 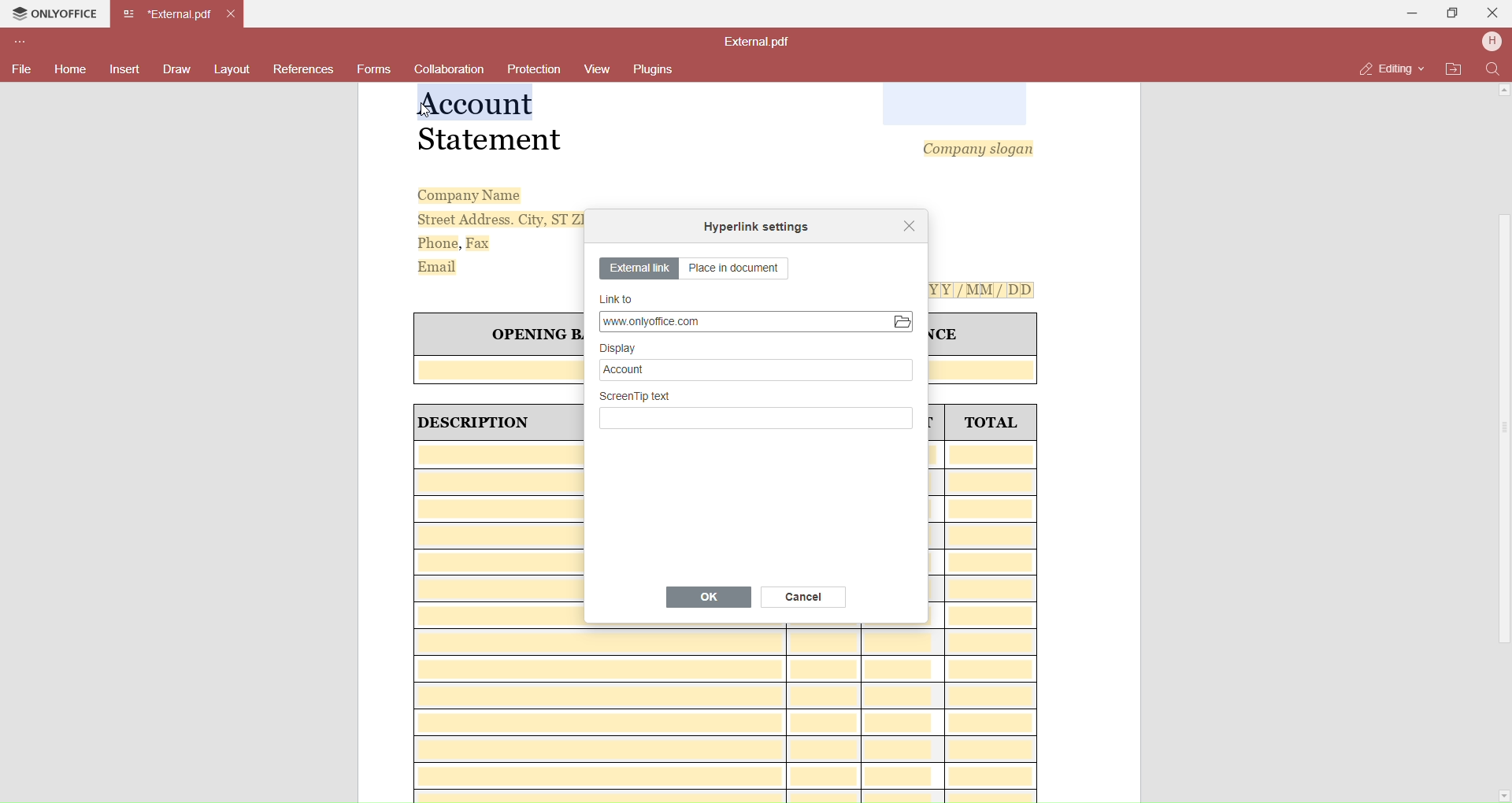 I want to click on Layouts, so click(x=233, y=70).